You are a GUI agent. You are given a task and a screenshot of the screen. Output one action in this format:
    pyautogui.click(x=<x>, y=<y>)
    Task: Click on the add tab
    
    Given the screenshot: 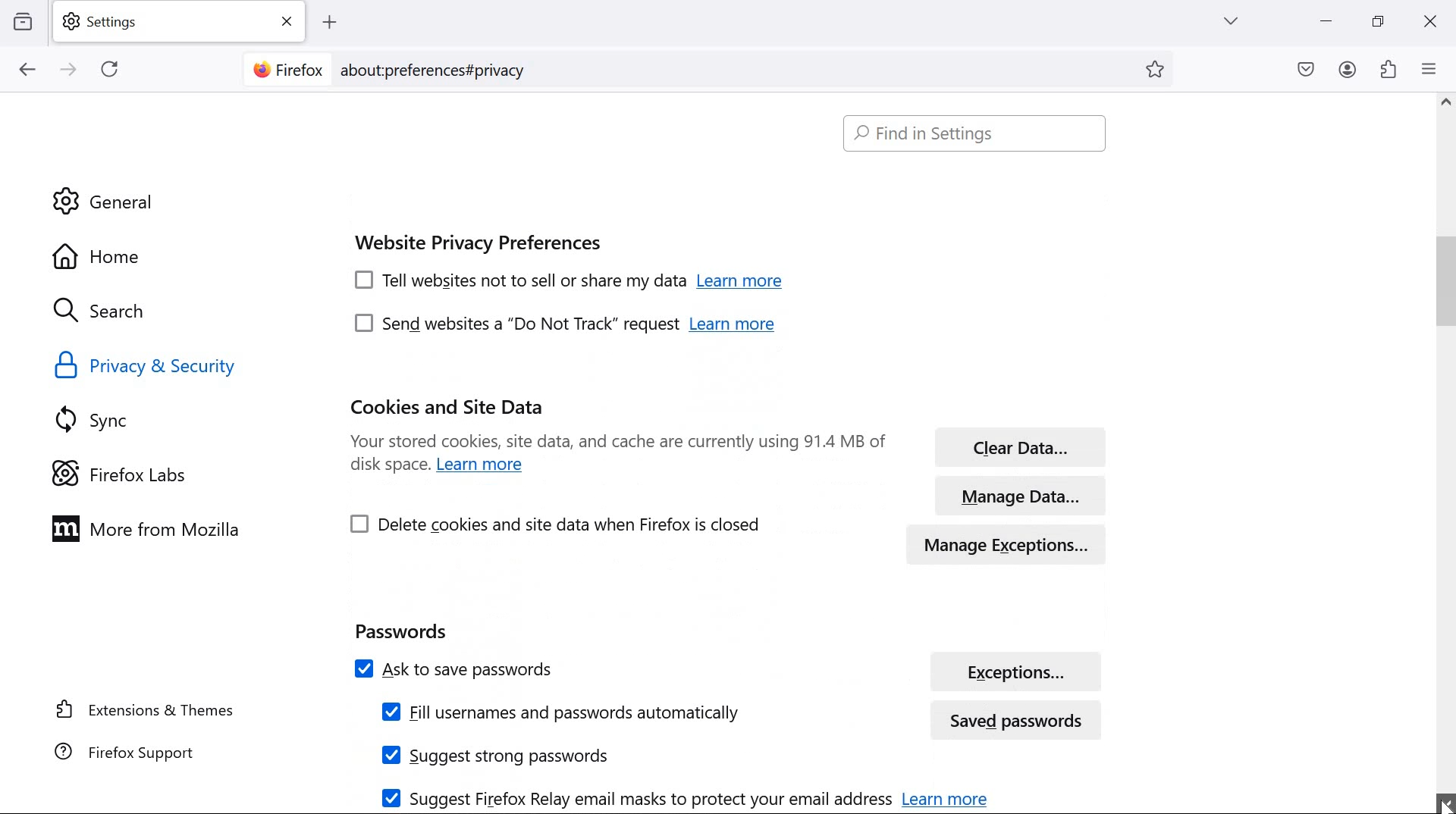 What is the action you would take?
    pyautogui.click(x=329, y=23)
    